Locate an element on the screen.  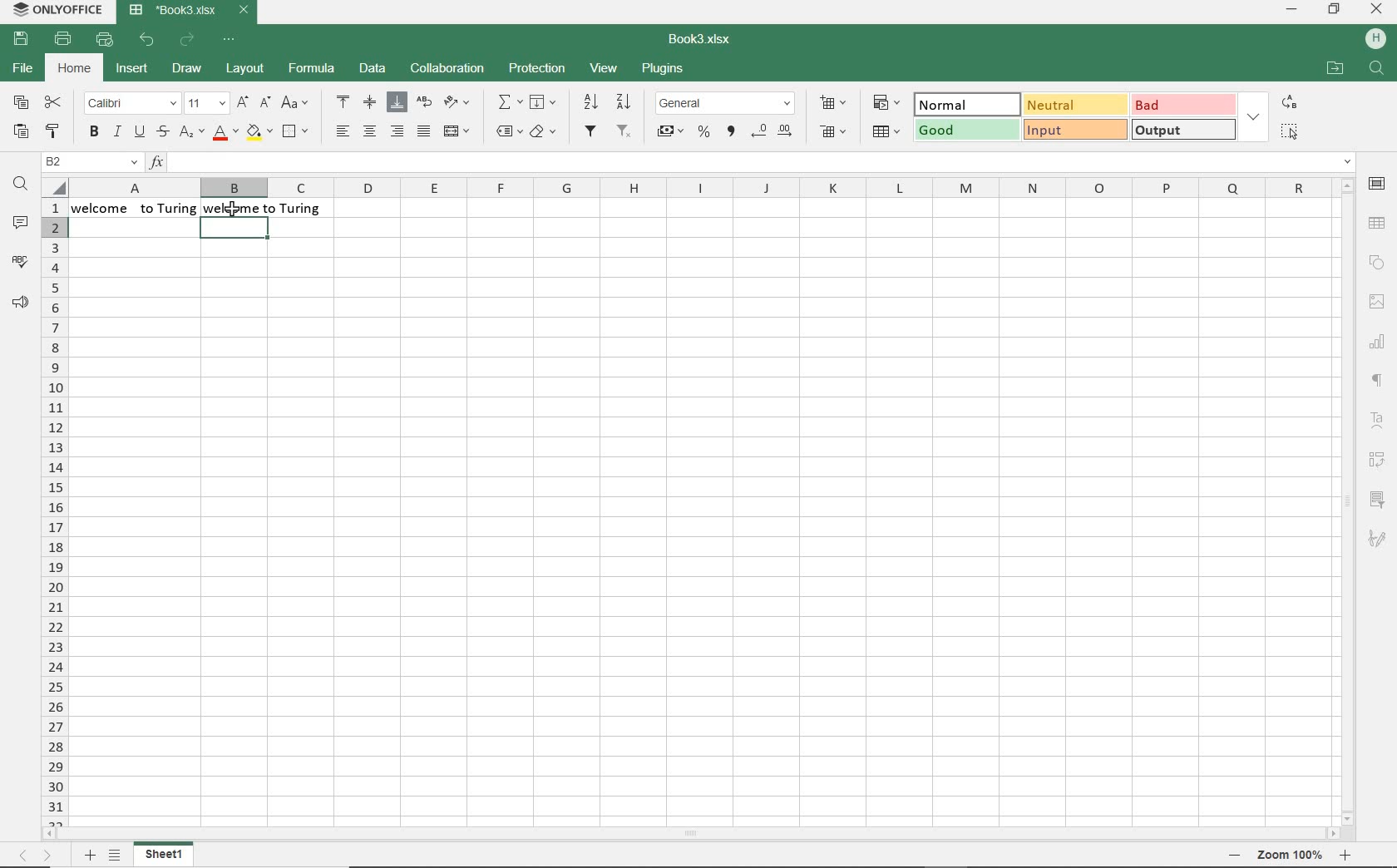
conditional formatting is located at coordinates (886, 102).